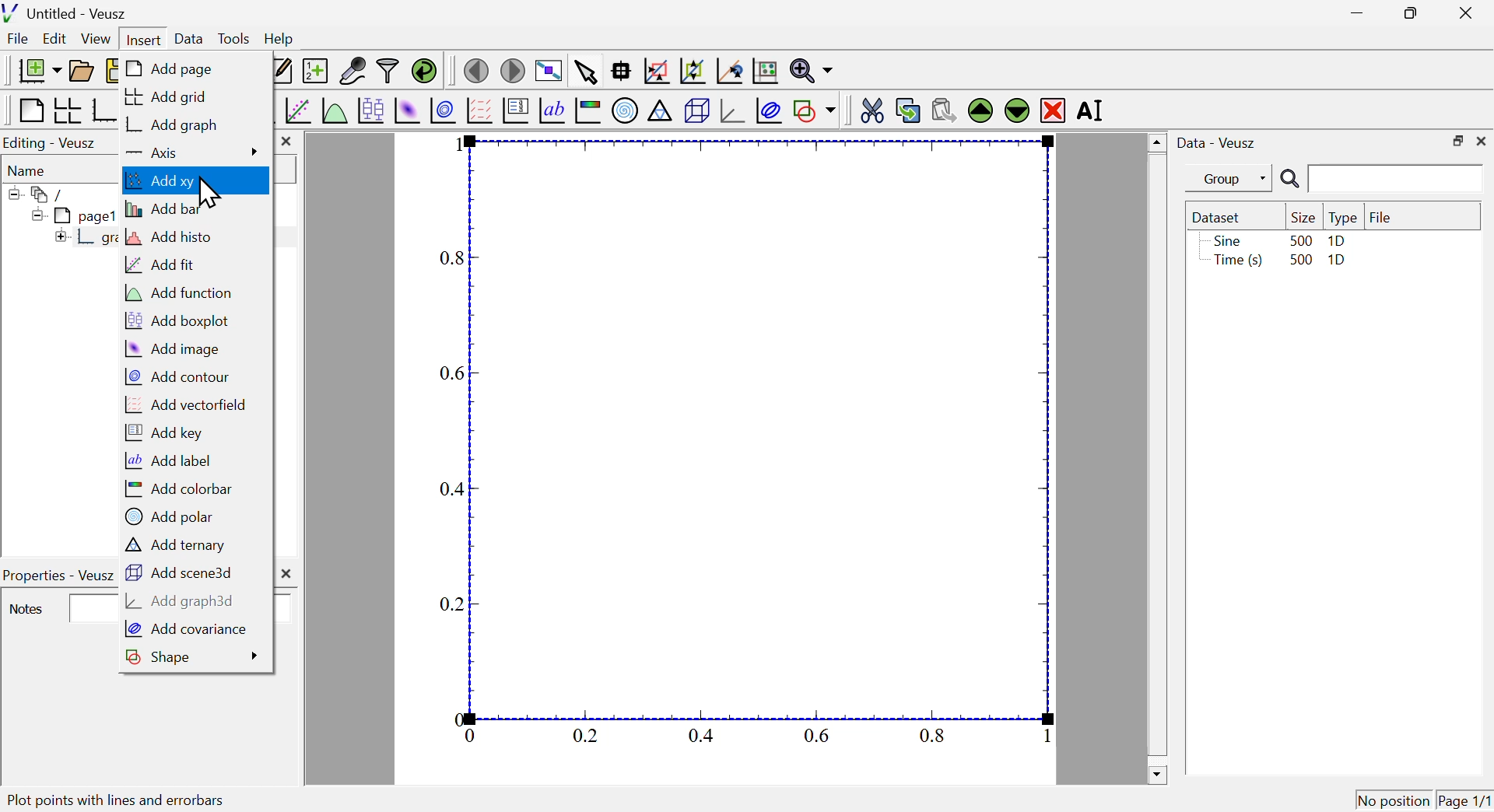  I want to click on folder, so click(43, 194).